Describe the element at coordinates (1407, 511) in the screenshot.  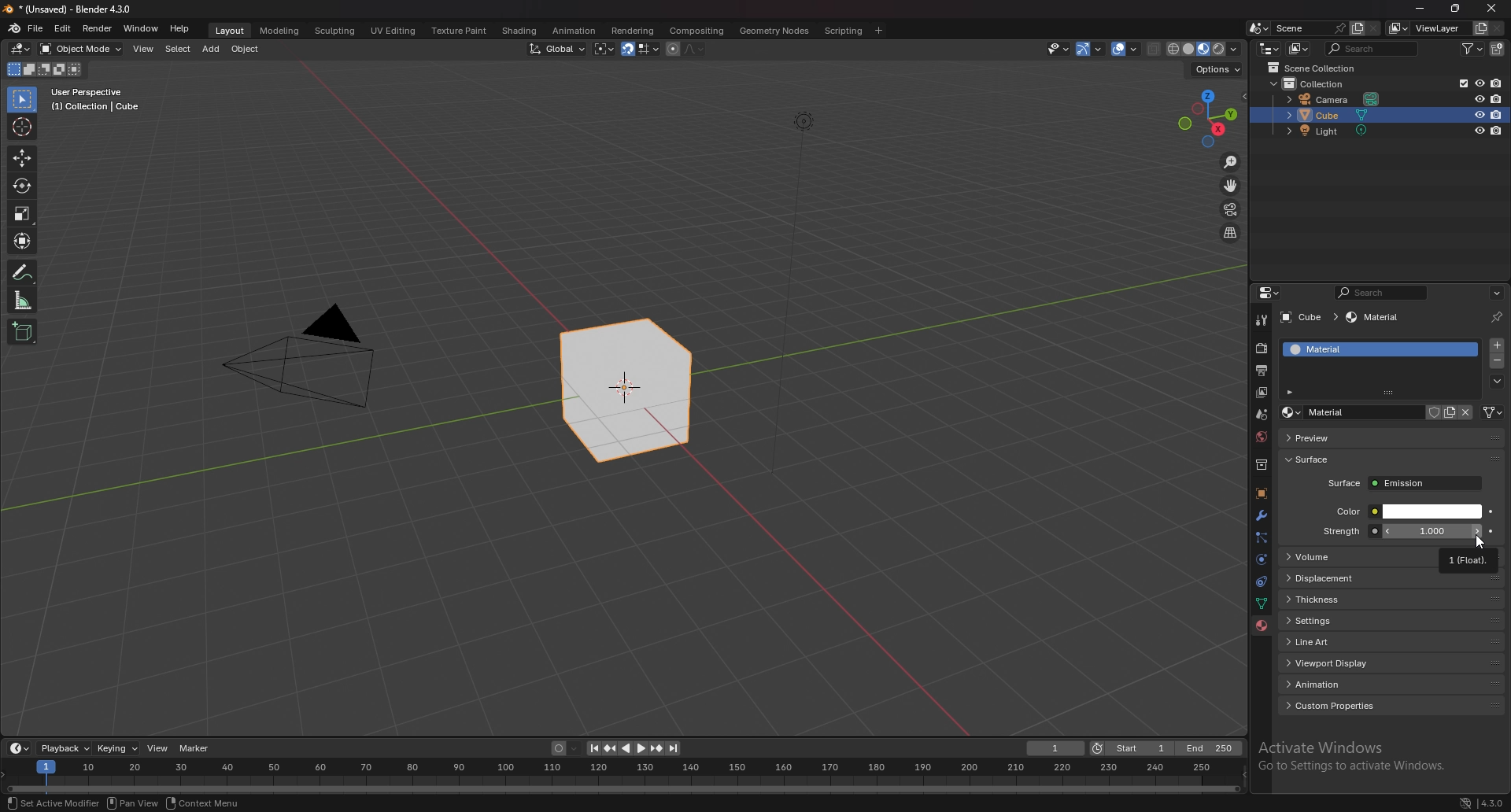
I see `color` at that location.